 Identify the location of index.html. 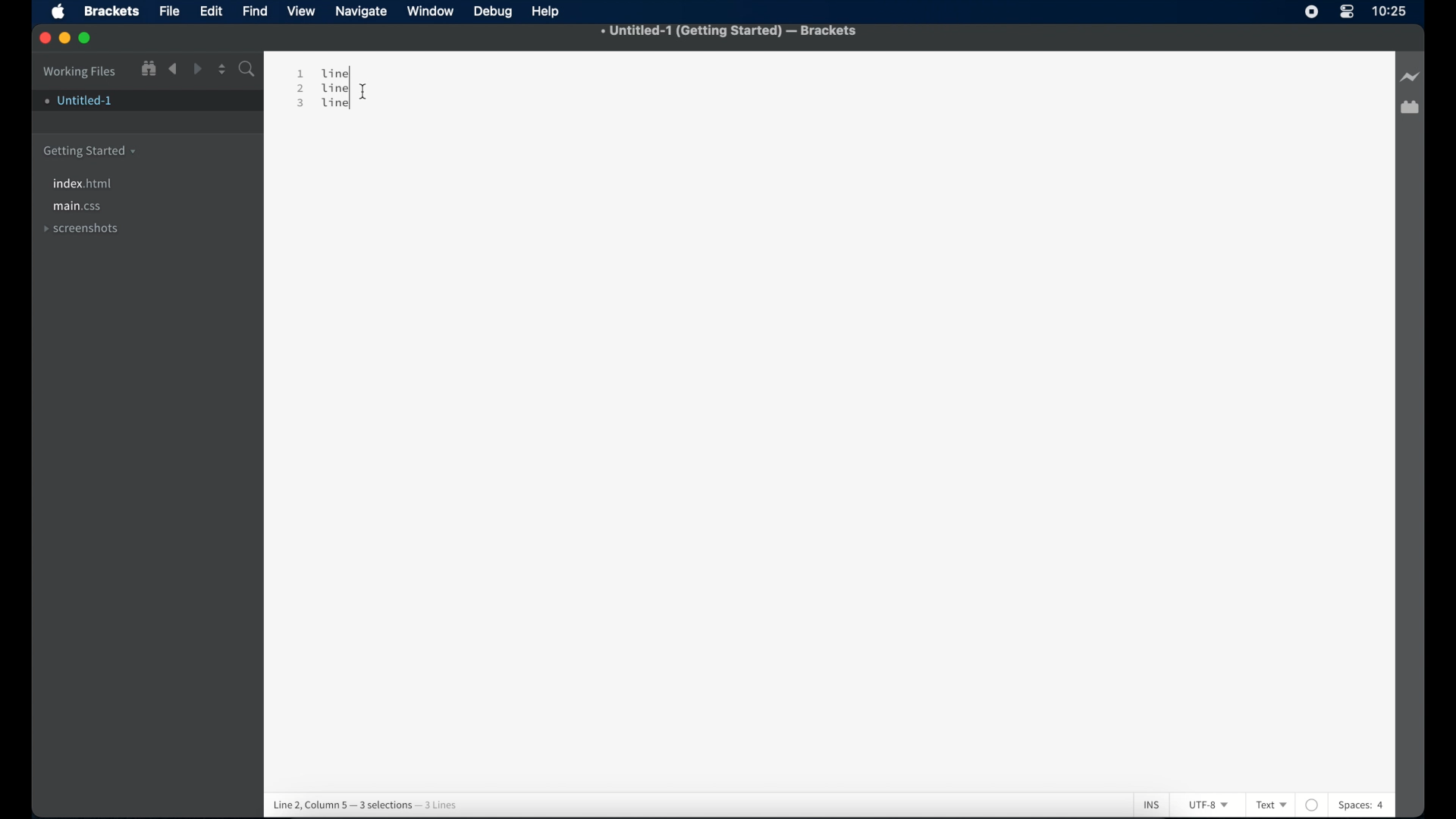
(84, 184).